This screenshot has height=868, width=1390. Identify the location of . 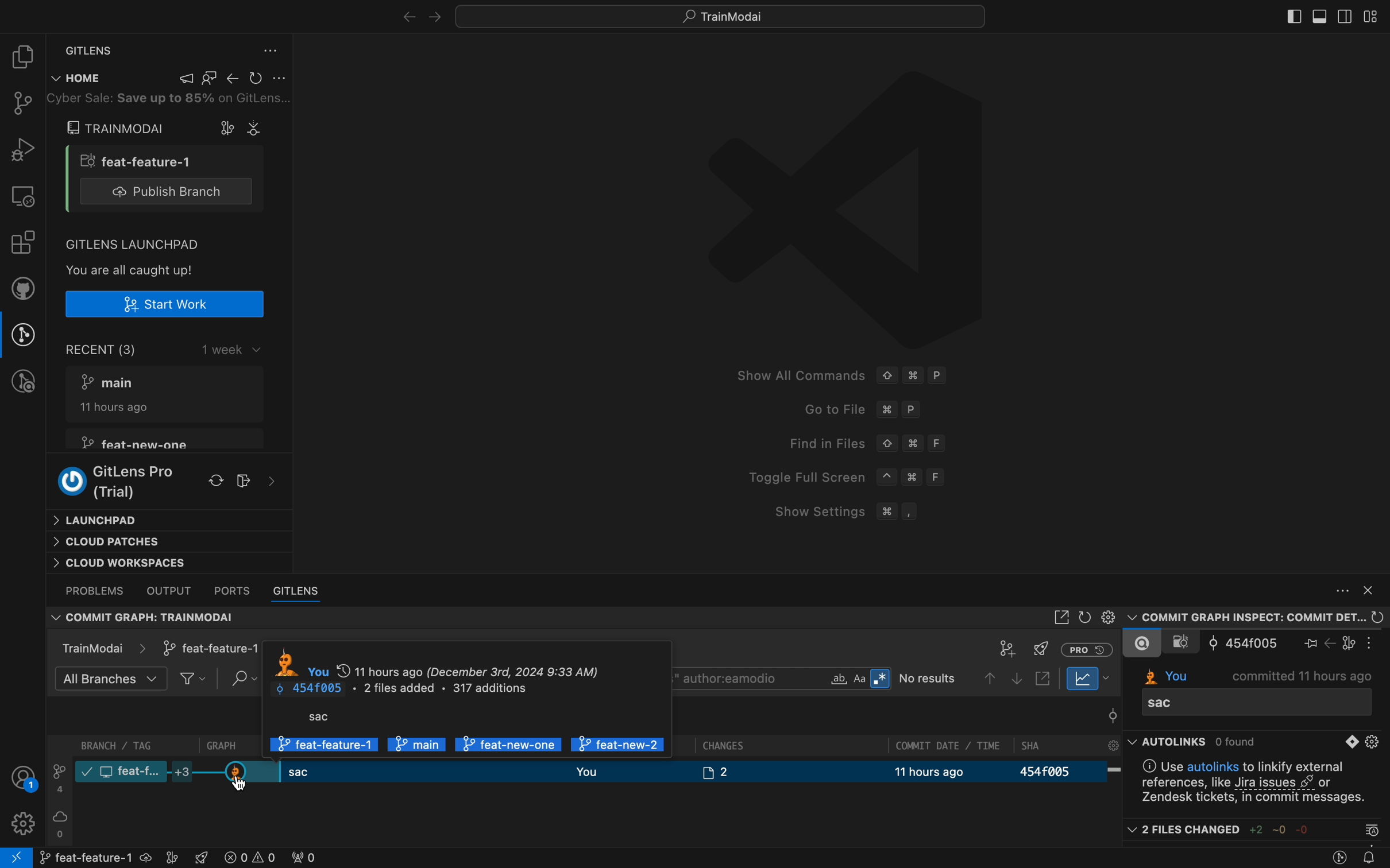
(1086, 618).